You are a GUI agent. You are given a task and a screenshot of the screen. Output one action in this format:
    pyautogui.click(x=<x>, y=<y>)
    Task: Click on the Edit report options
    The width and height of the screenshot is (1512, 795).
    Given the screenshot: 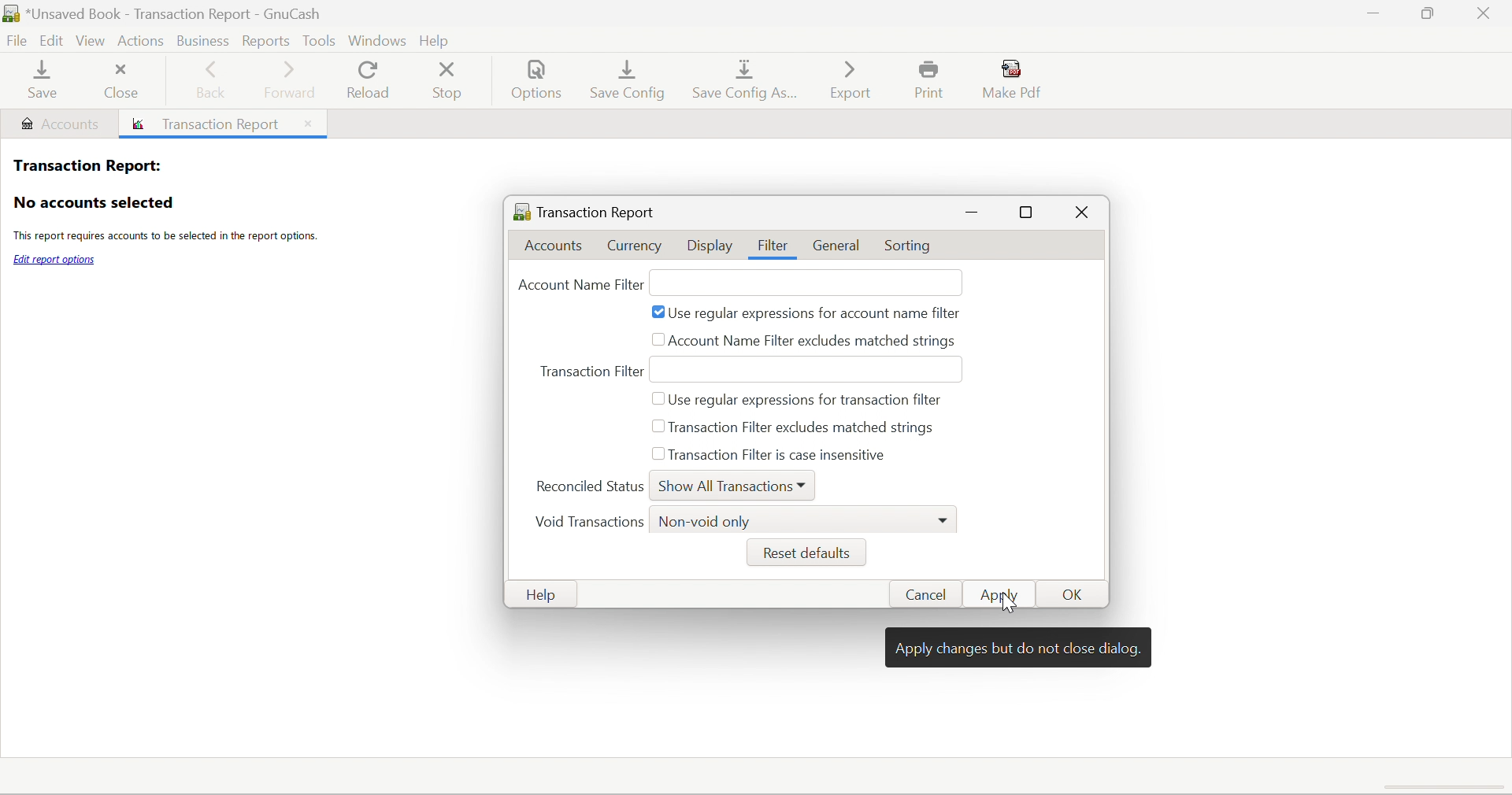 What is the action you would take?
    pyautogui.click(x=55, y=260)
    